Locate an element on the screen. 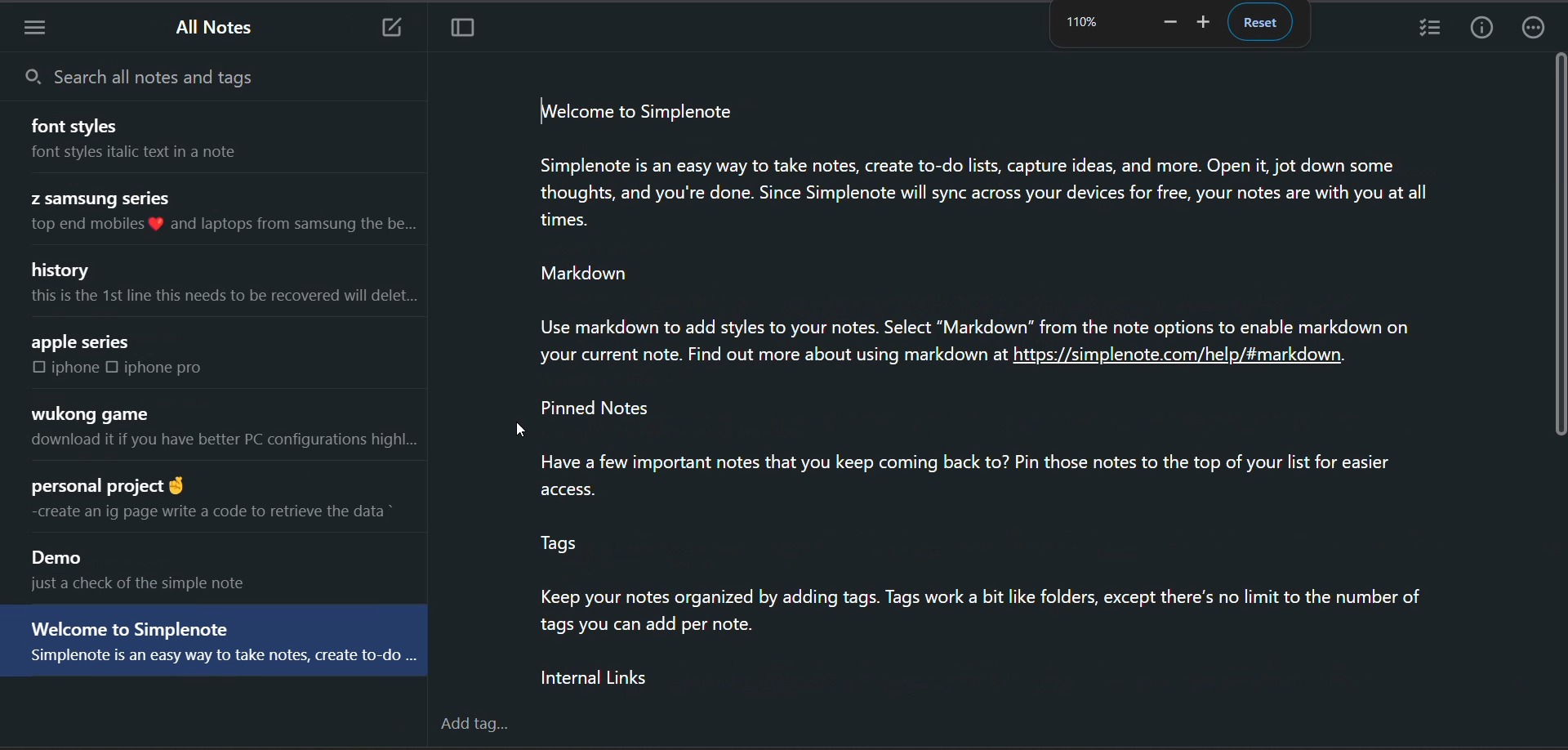 This screenshot has height=750, width=1568. add tag is located at coordinates (476, 724).